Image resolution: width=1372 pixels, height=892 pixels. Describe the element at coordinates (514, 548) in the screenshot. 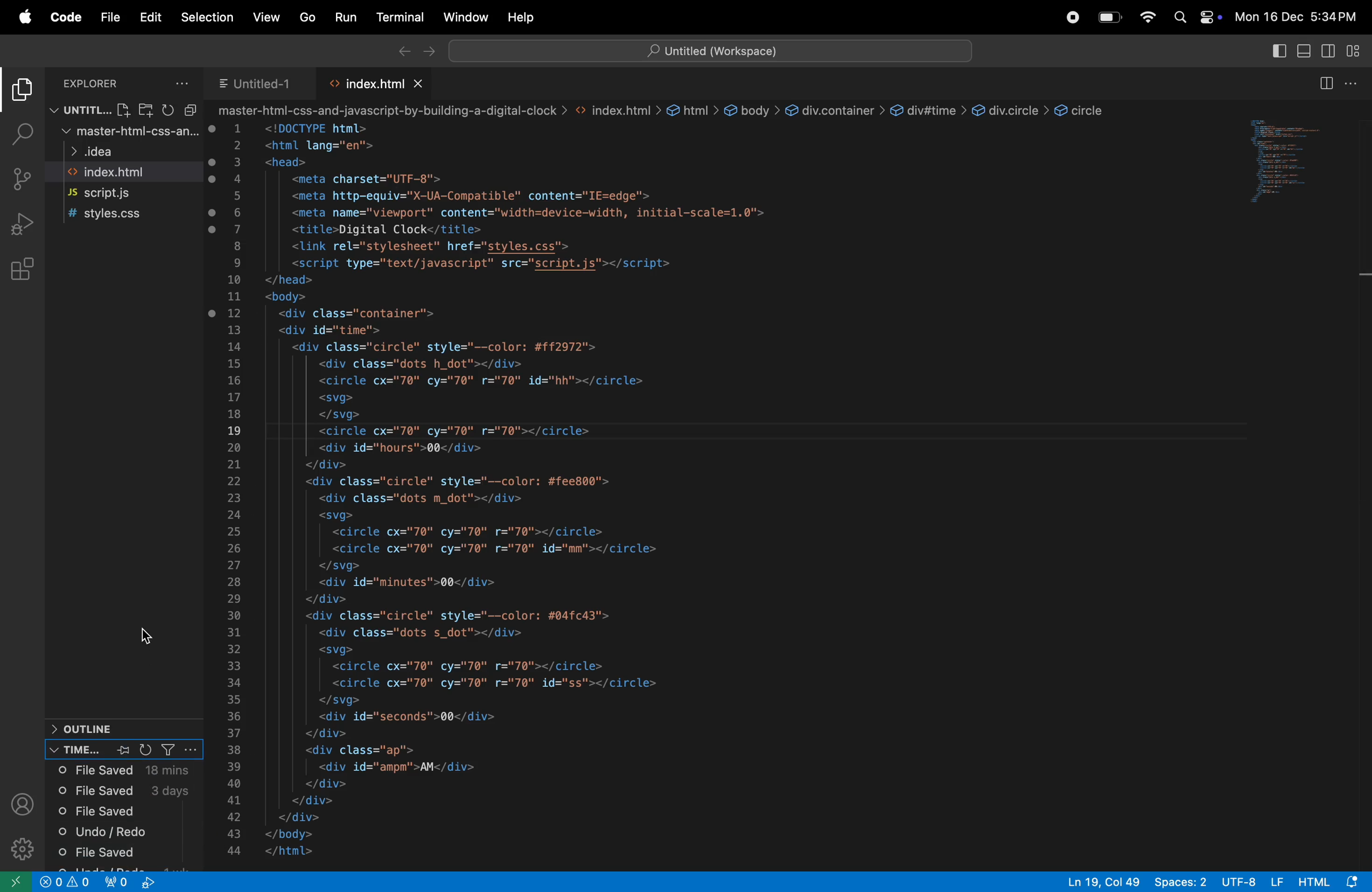

I see `<circle cx="70" cy="70" r="70" id="mm"></circle>` at that location.